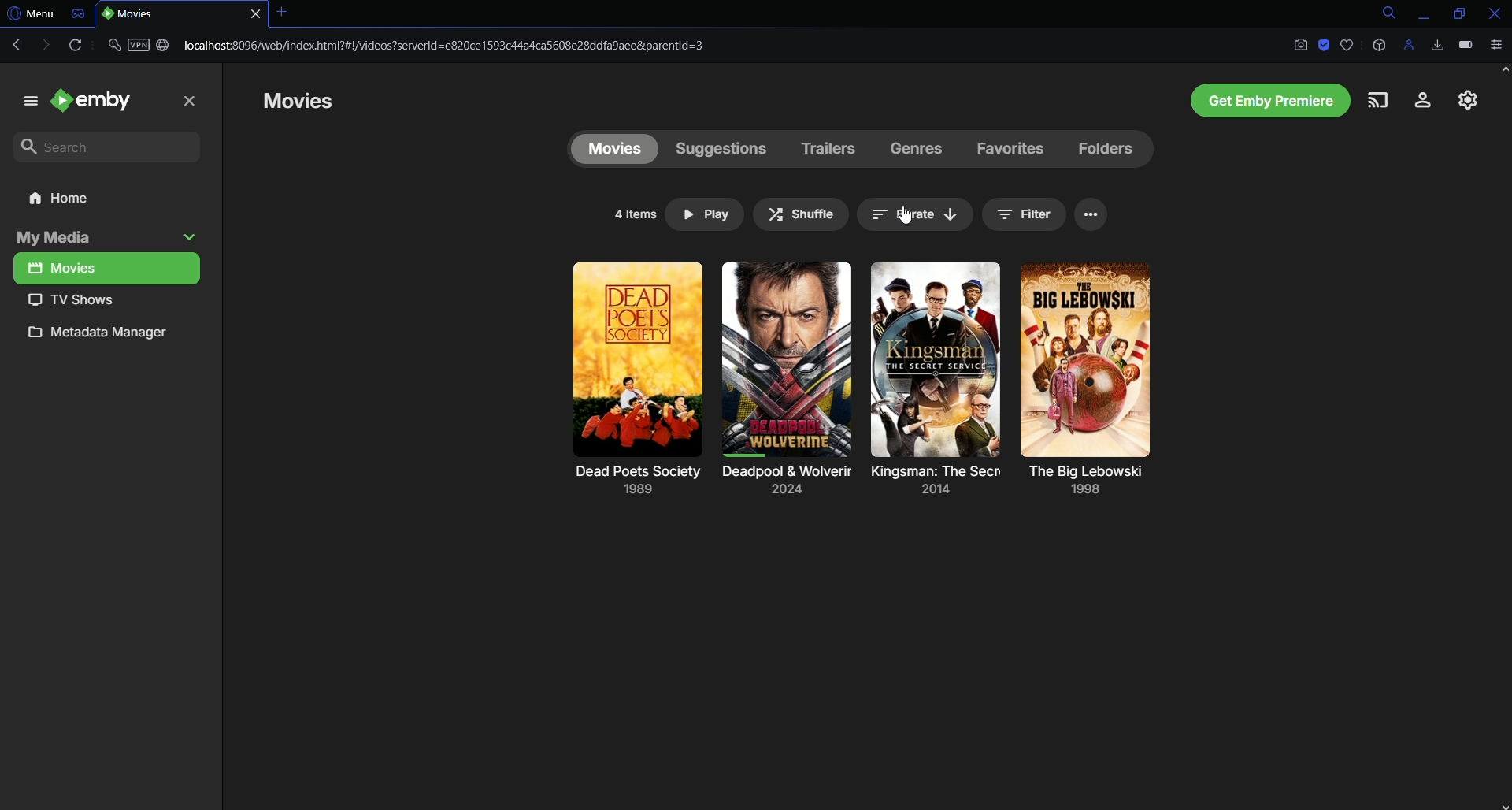 Image resolution: width=1512 pixels, height=810 pixels. Describe the element at coordinates (636, 214) in the screenshot. I see `4 items` at that location.